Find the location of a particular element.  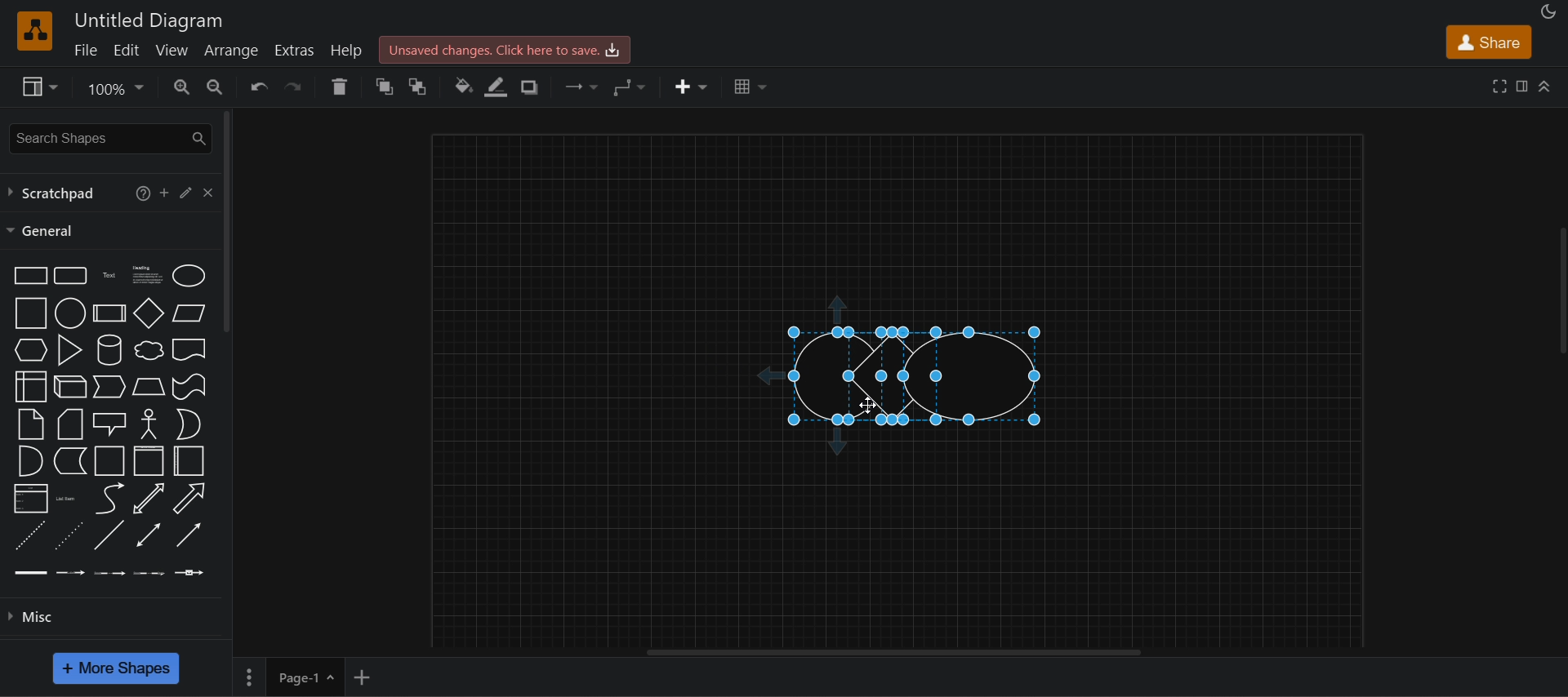

cloud is located at coordinates (147, 350).